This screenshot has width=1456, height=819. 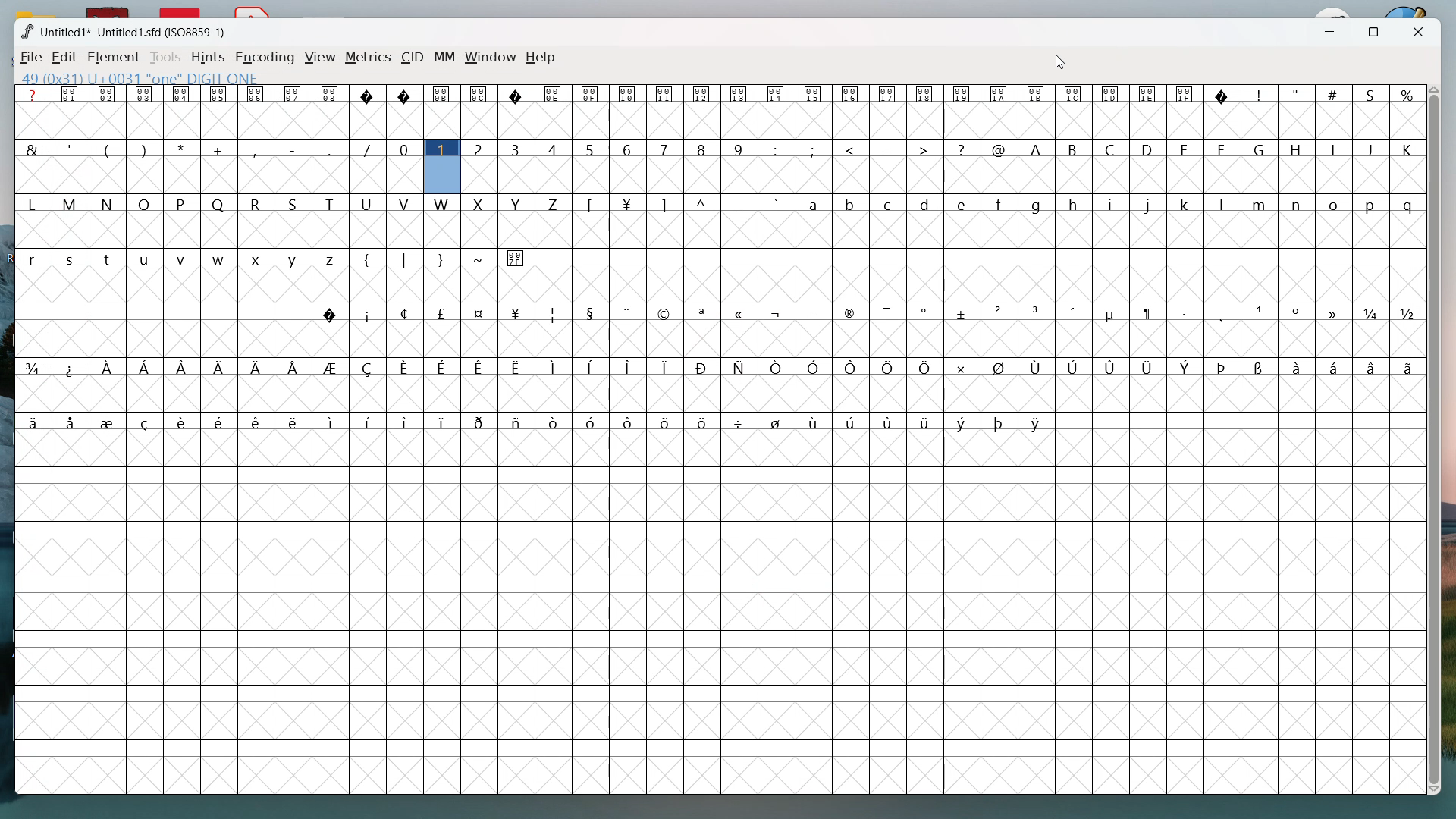 I want to click on N, so click(x=107, y=203).